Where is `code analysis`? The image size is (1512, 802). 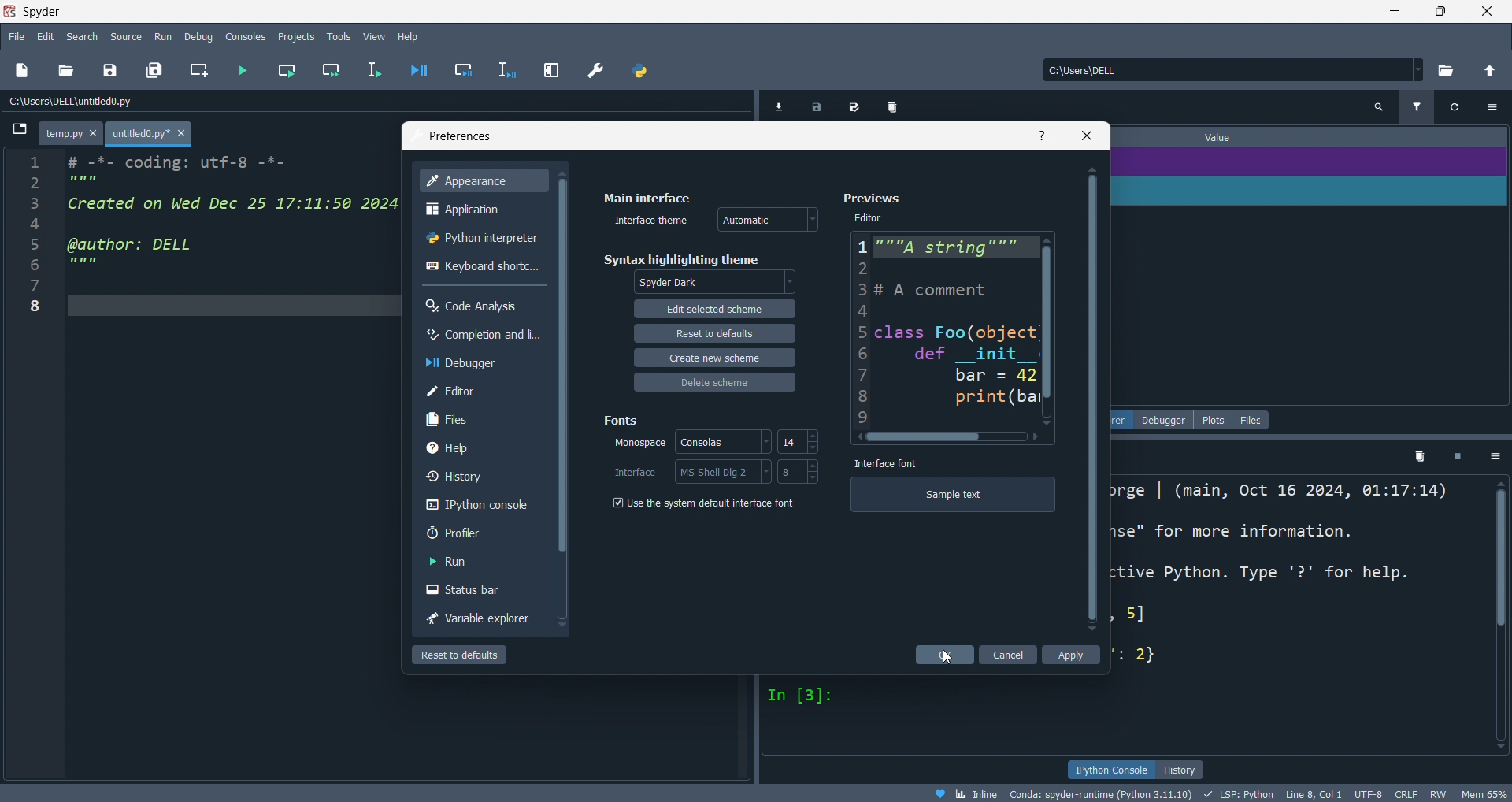
code analysis is located at coordinates (484, 303).